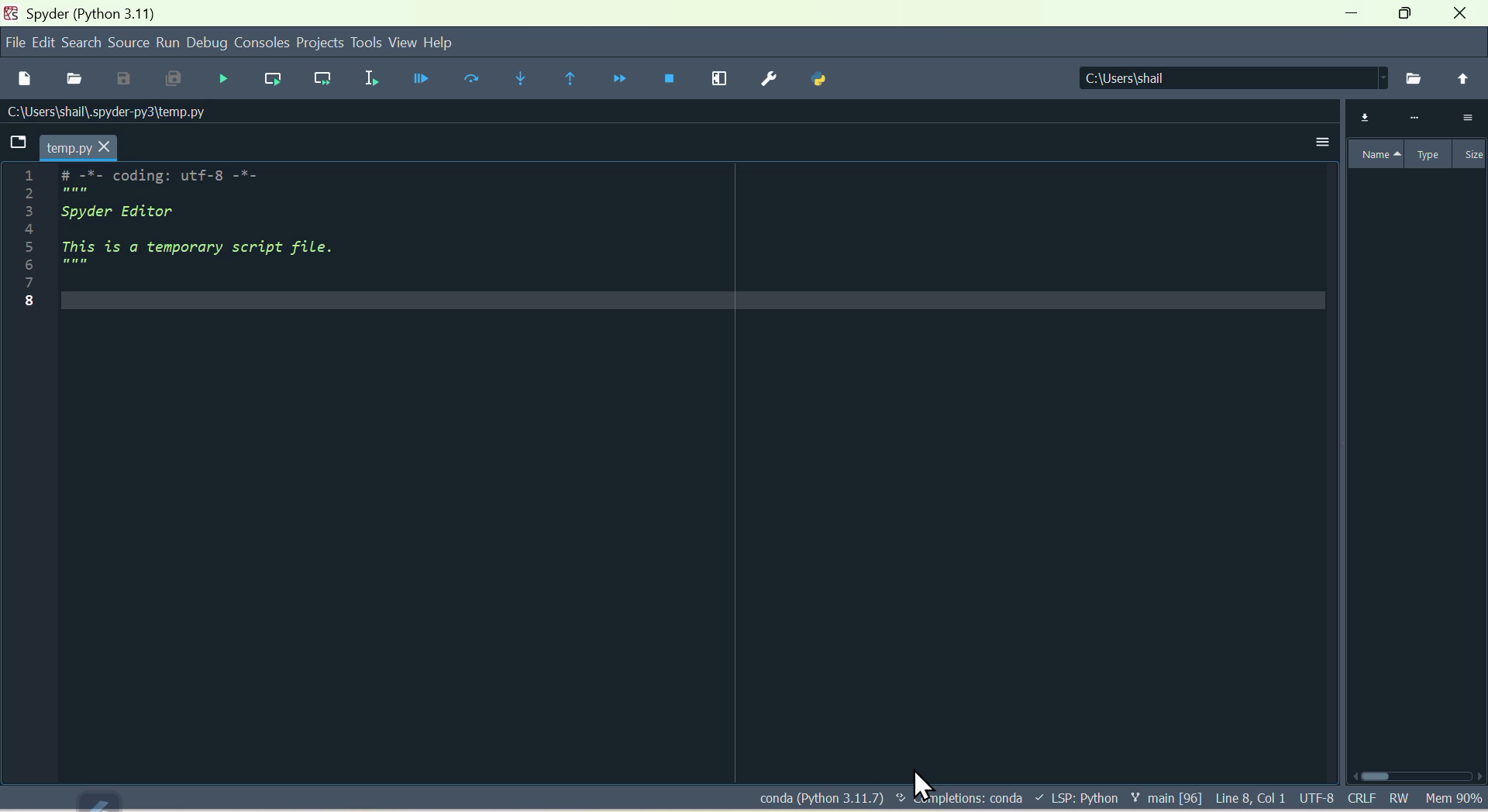 This screenshot has width=1488, height=812. What do you see at coordinates (1465, 15) in the screenshot?
I see `Close` at bounding box center [1465, 15].